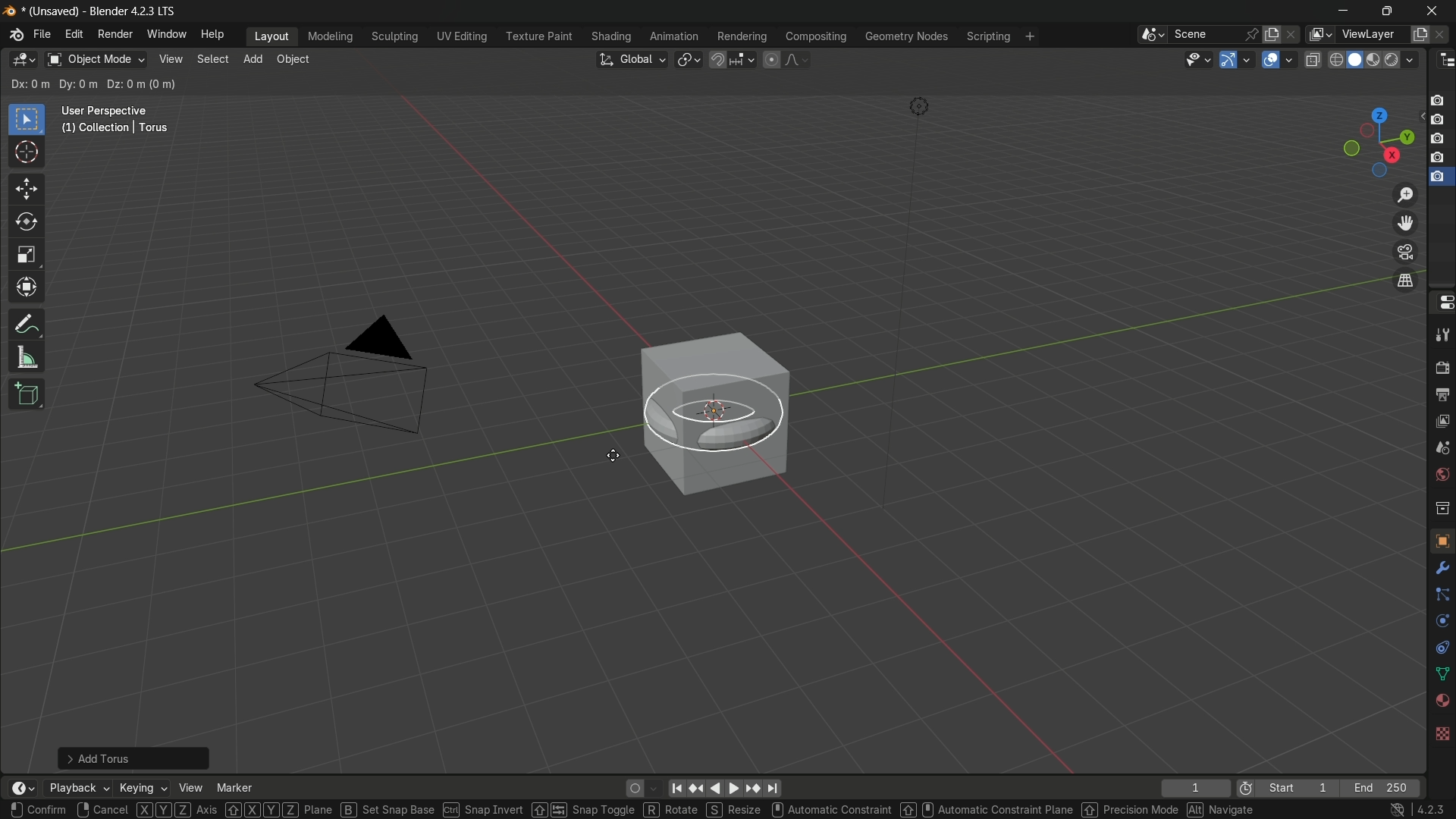  What do you see at coordinates (115, 34) in the screenshot?
I see `render menu` at bounding box center [115, 34].